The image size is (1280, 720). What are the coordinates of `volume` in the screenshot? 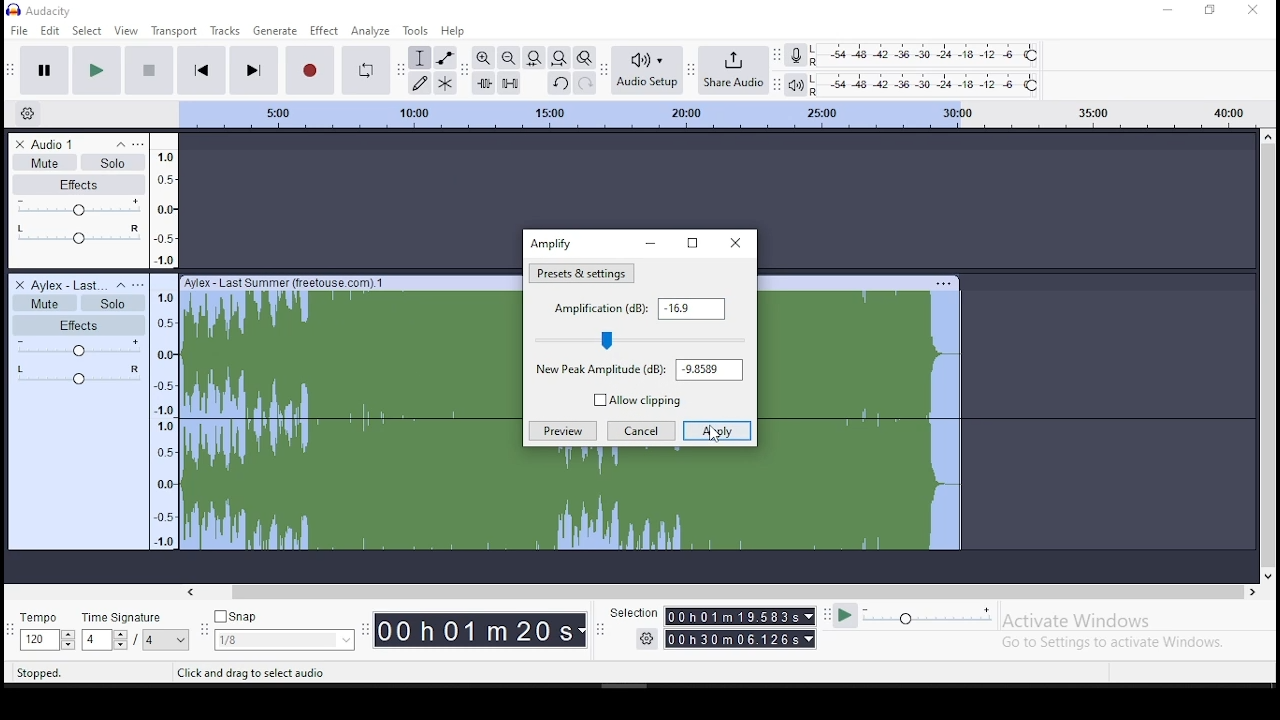 It's located at (77, 208).